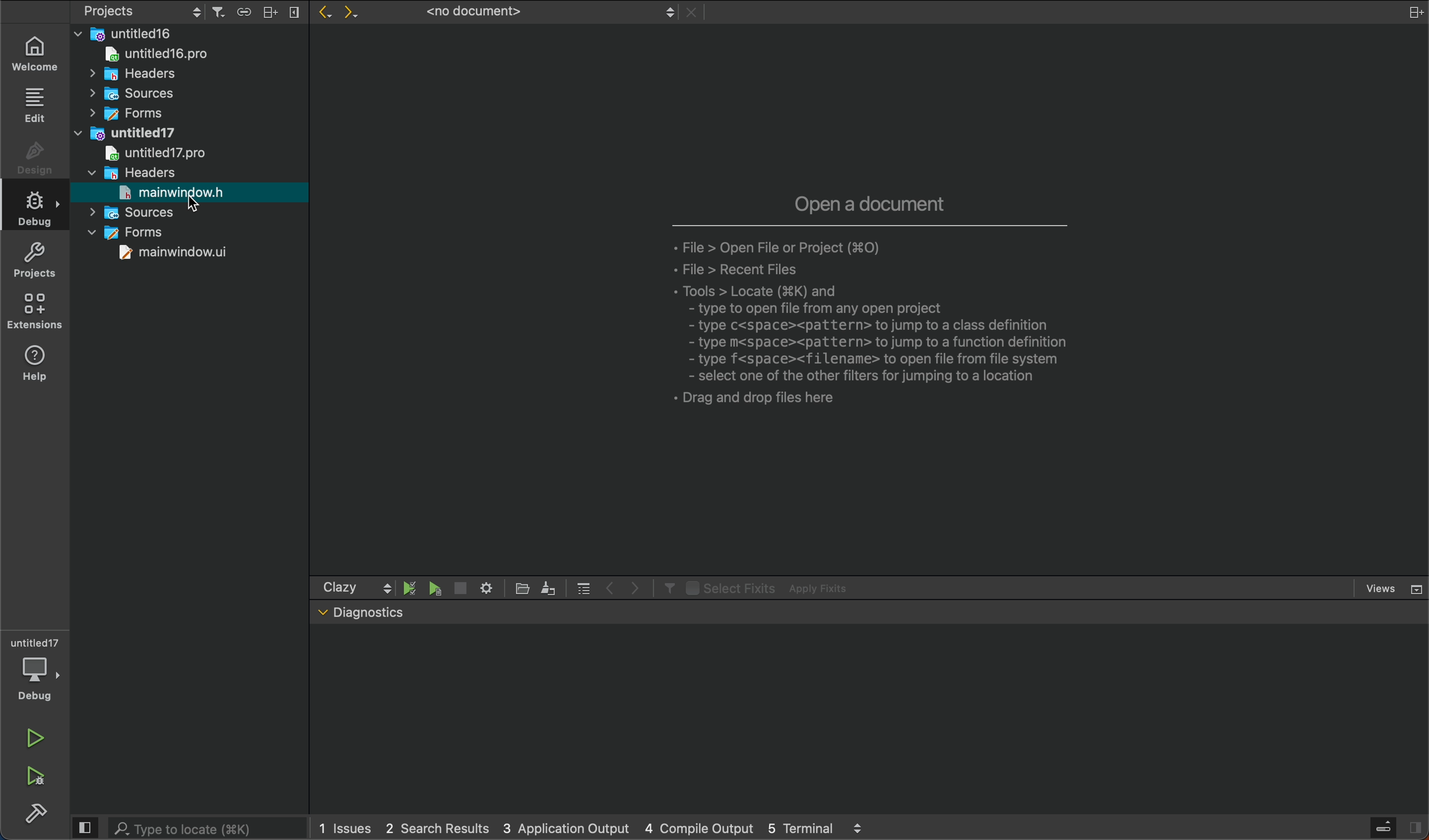 The image size is (1429, 840). What do you see at coordinates (129, 131) in the screenshot?
I see `untitled17` at bounding box center [129, 131].